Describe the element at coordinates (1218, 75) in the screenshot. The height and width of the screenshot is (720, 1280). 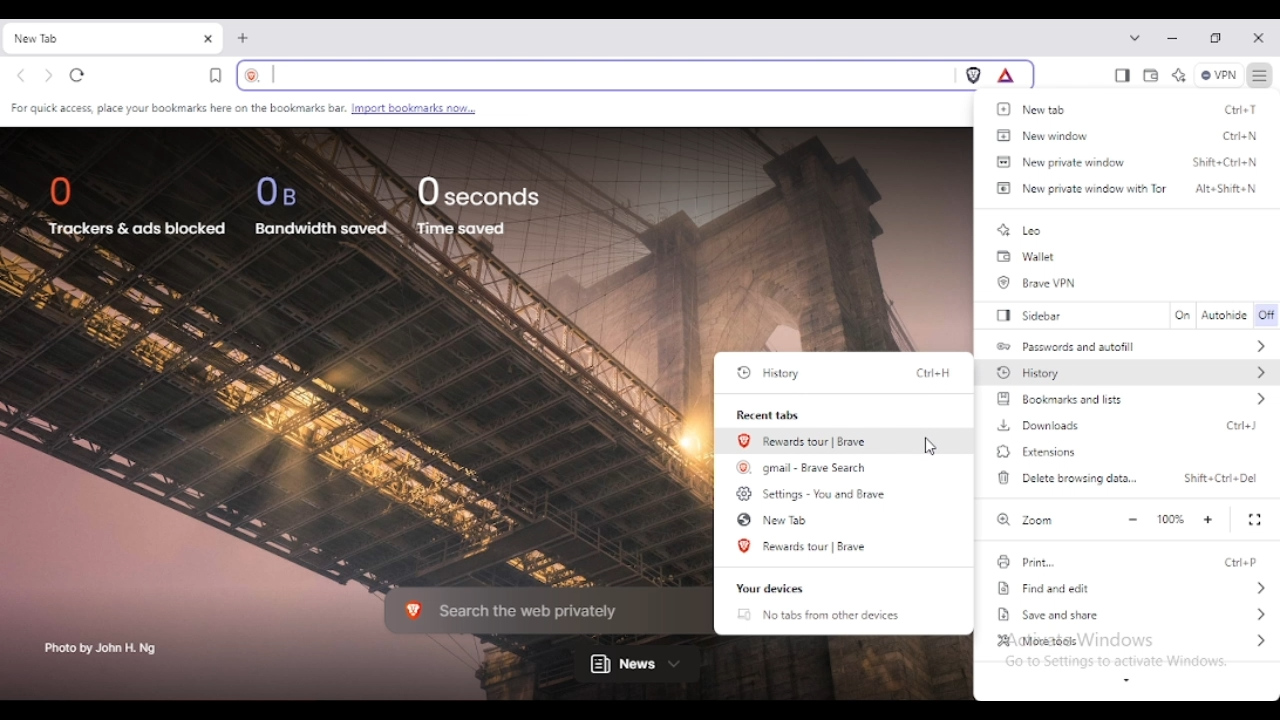
I see `brave firewall + VPN` at that location.